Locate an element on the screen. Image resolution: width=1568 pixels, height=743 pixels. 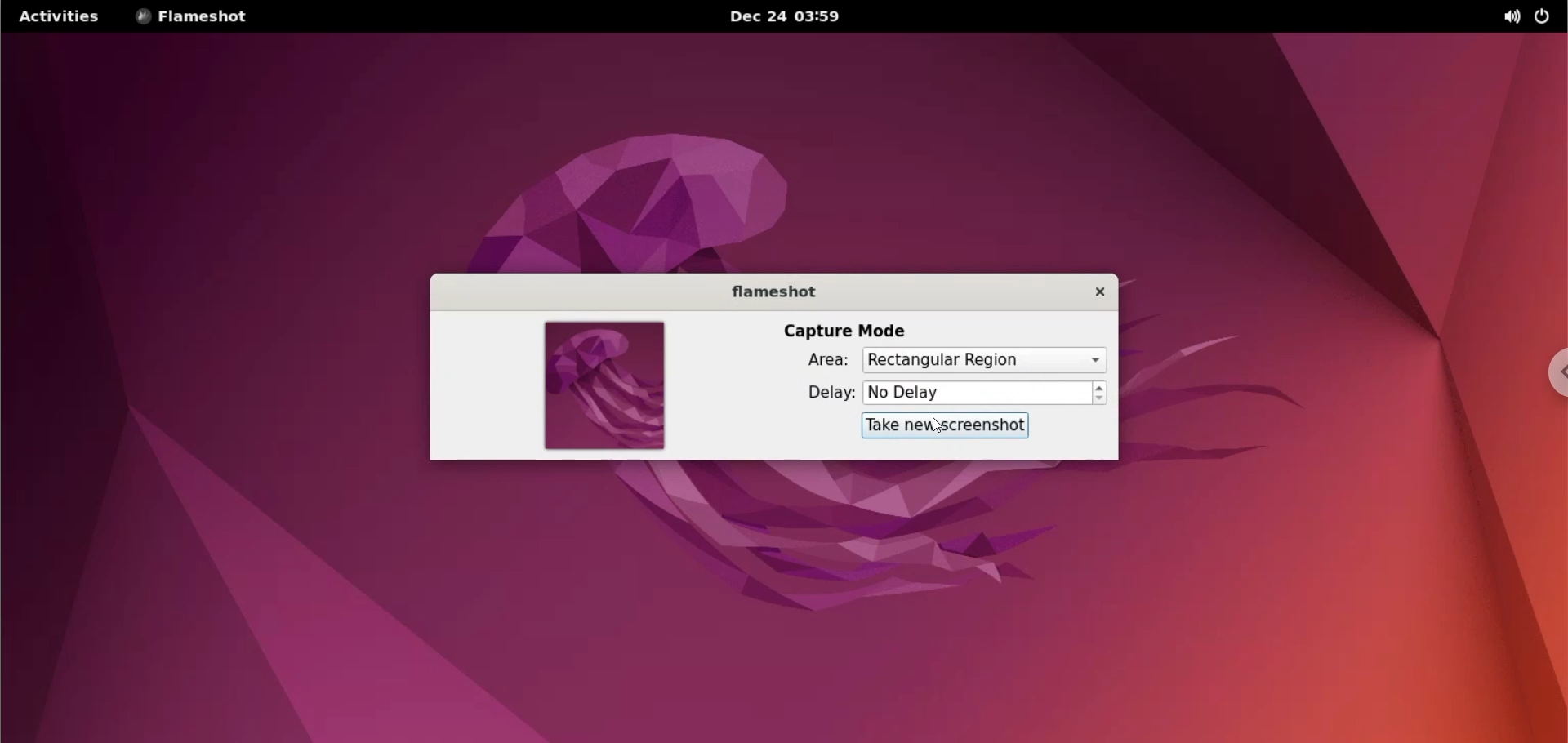
area label is located at coordinates (817, 359).